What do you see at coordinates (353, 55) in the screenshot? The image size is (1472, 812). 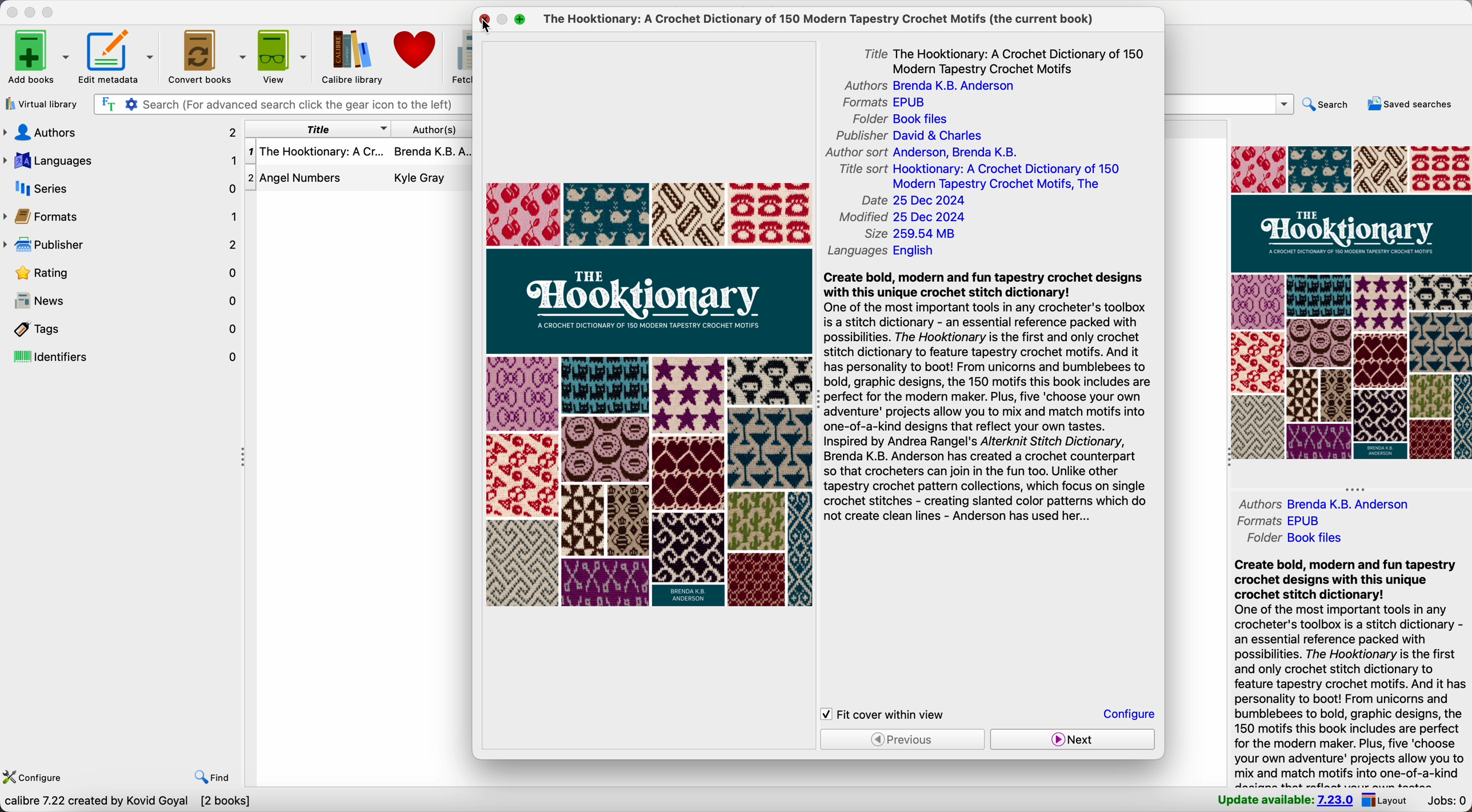 I see `Calibre library` at bounding box center [353, 55].